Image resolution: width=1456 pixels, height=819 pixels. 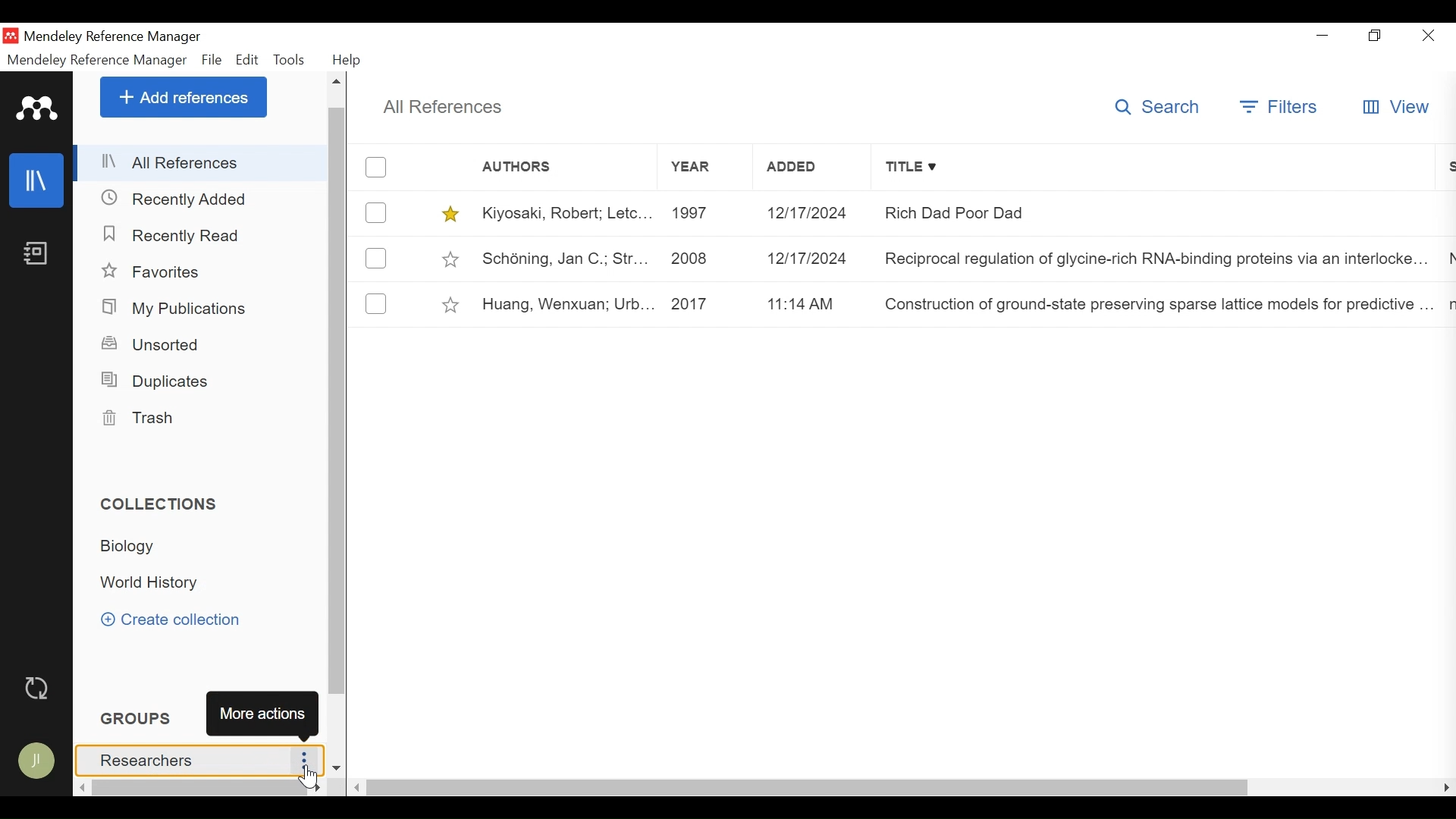 What do you see at coordinates (156, 381) in the screenshot?
I see `Duplicates` at bounding box center [156, 381].